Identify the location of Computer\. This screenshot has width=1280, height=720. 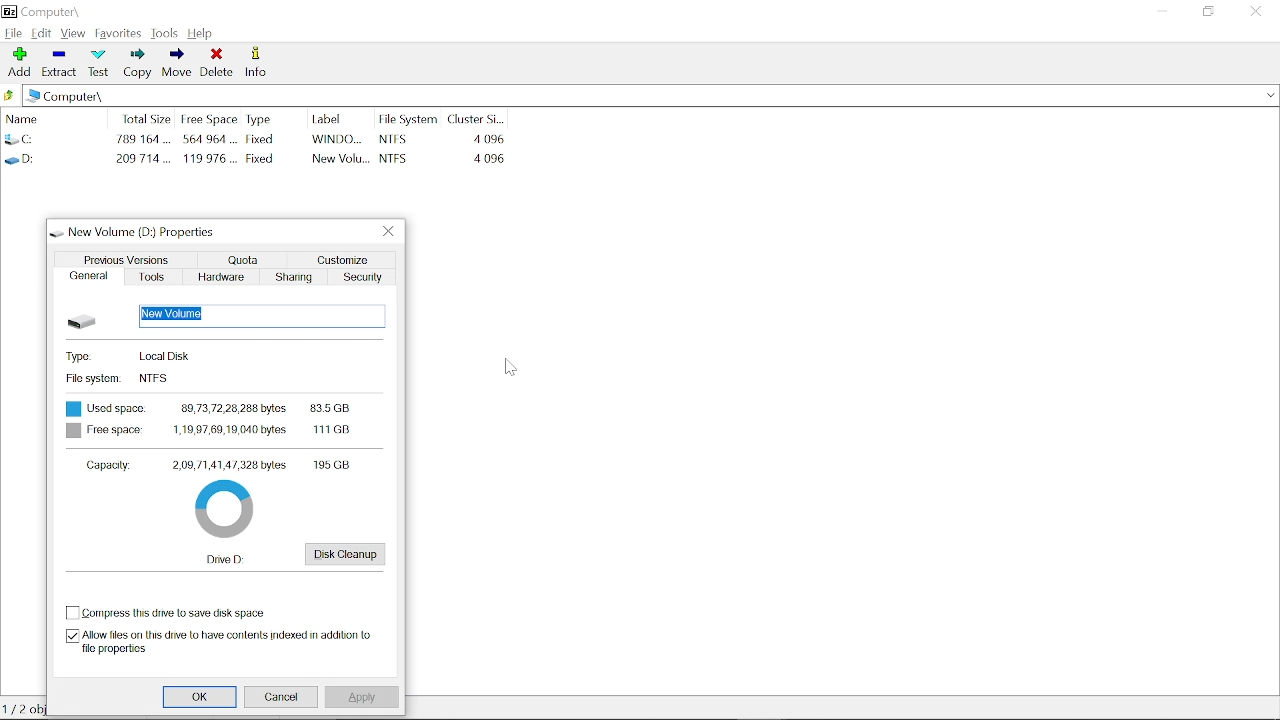
(70, 97).